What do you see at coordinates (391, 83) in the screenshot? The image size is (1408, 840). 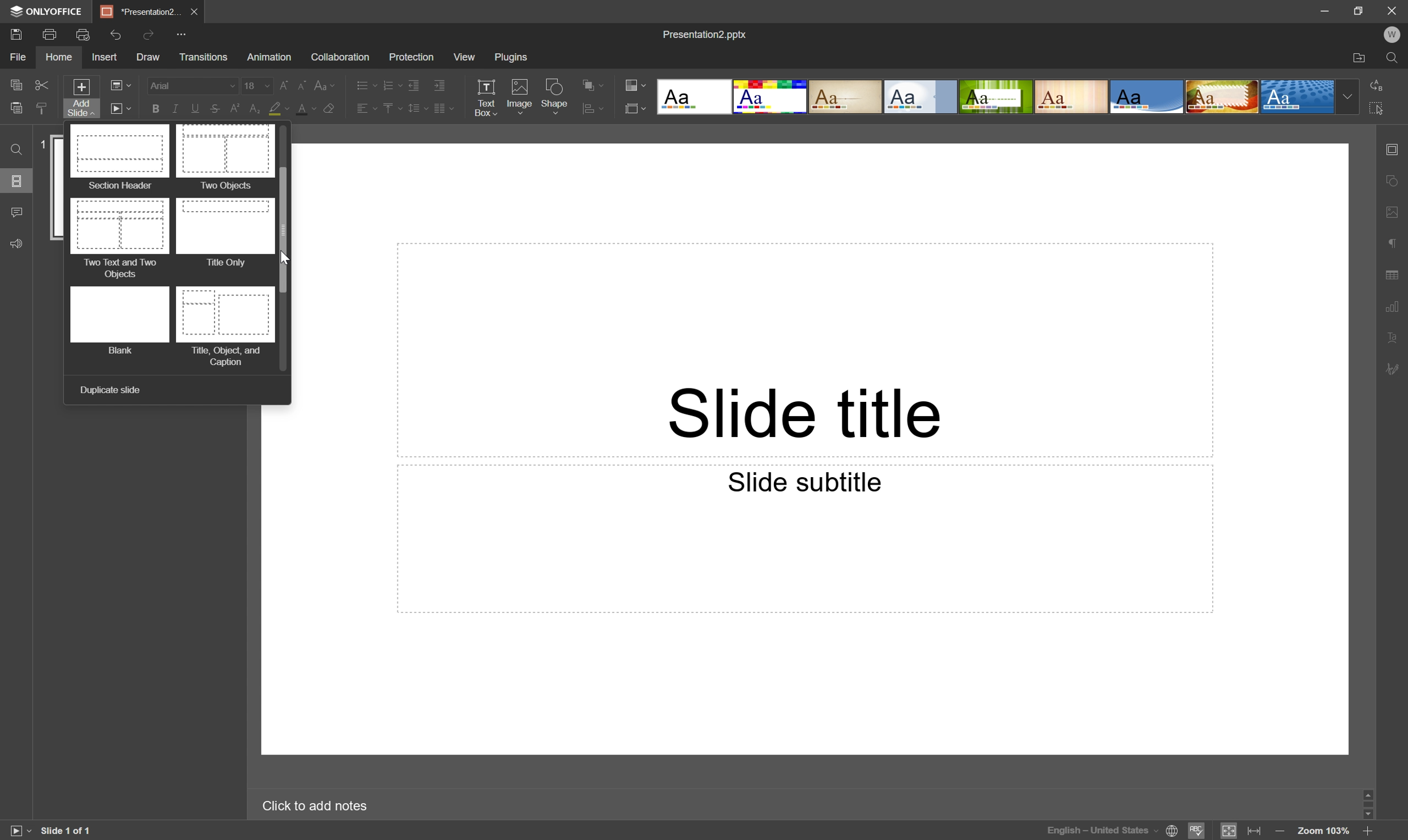 I see `Numbering` at bounding box center [391, 83].